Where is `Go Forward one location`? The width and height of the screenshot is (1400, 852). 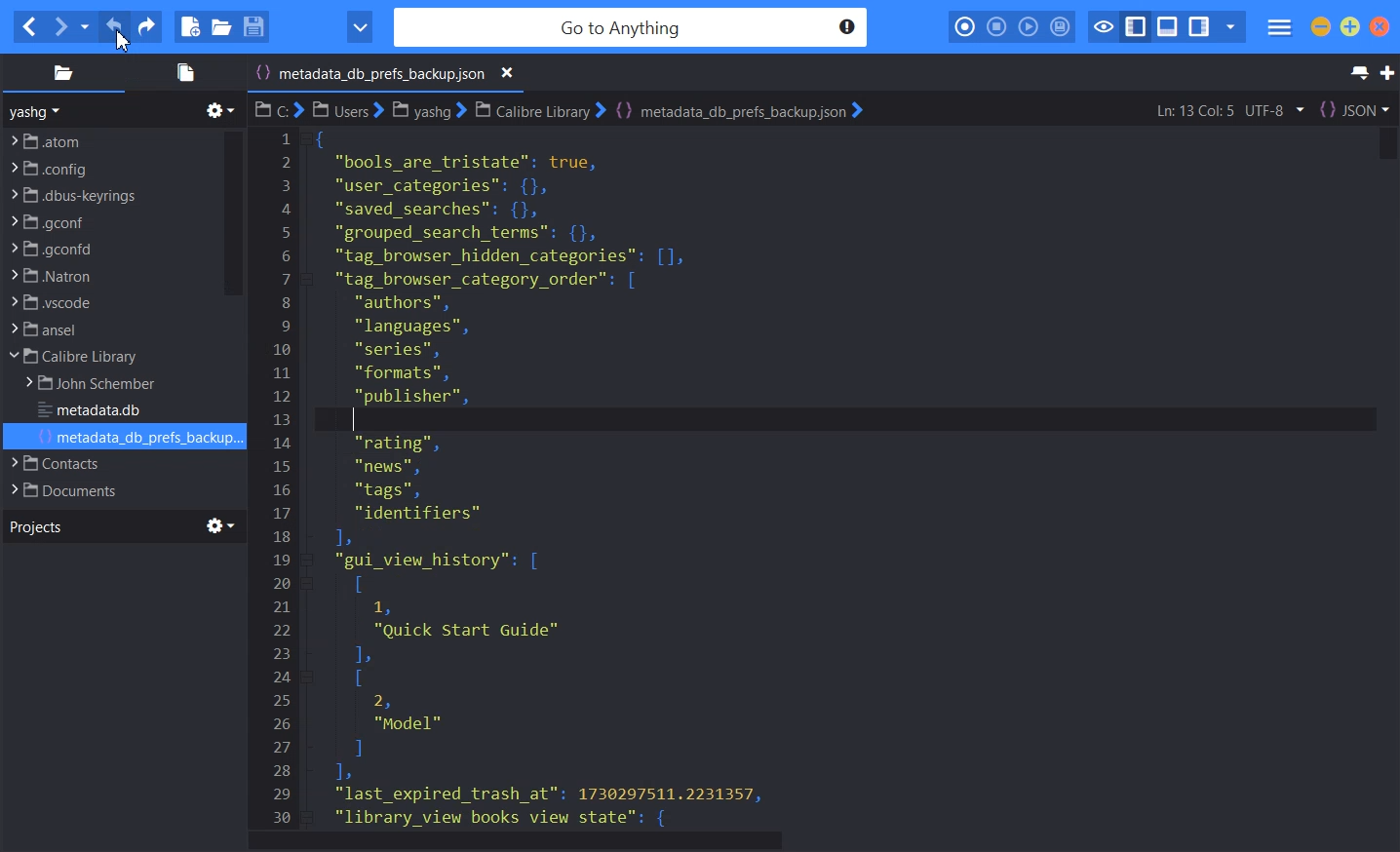
Go Forward one location is located at coordinates (59, 27).